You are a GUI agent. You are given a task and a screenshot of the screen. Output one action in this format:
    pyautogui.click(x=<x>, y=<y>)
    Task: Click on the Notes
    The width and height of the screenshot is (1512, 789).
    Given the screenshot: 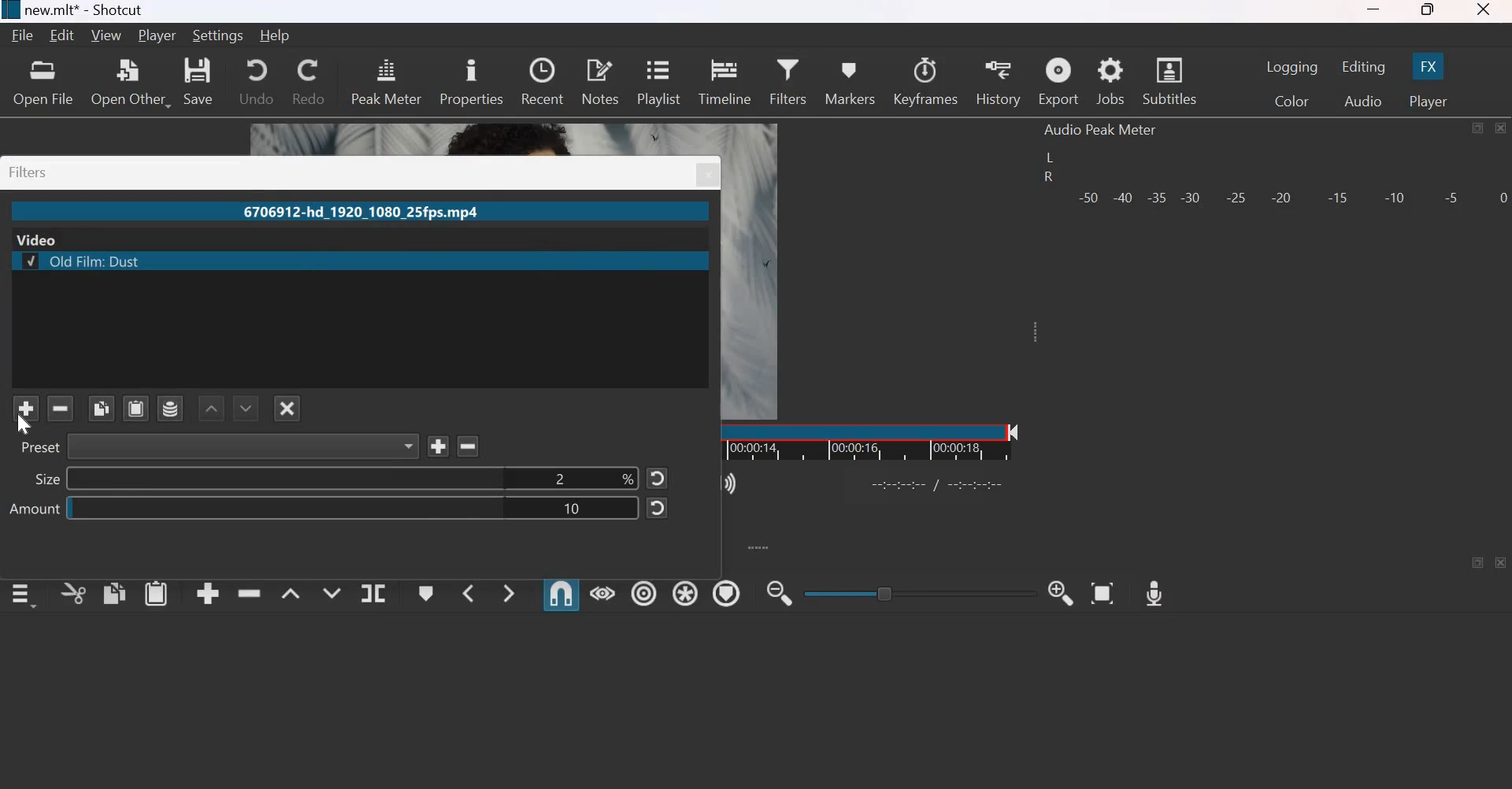 What is the action you would take?
    pyautogui.click(x=600, y=81)
    